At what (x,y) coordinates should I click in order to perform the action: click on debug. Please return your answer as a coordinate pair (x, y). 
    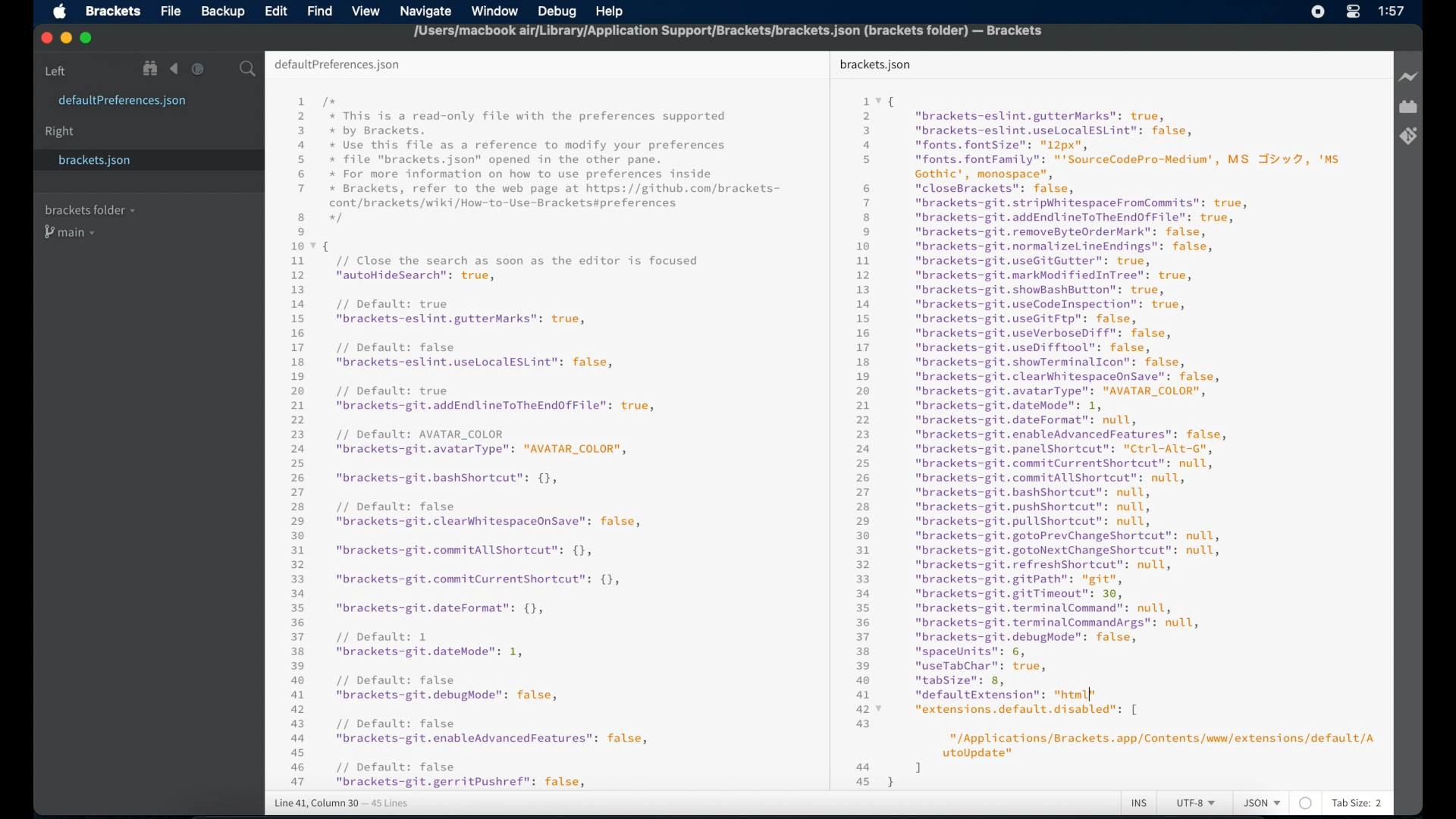
    Looking at the image, I should click on (559, 13).